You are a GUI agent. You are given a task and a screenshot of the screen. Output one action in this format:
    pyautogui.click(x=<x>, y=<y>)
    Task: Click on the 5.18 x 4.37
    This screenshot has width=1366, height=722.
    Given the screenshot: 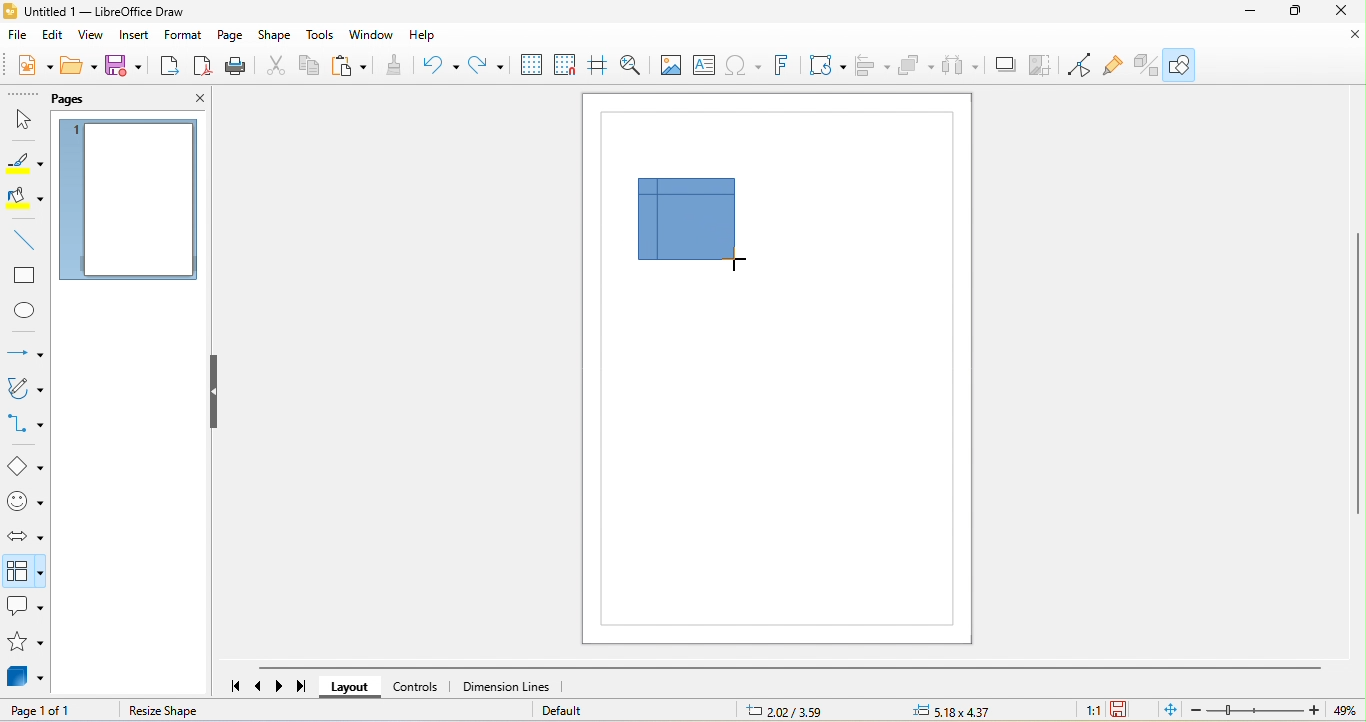 What is the action you would take?
    pyautogui.click(x=970, y=710)
    